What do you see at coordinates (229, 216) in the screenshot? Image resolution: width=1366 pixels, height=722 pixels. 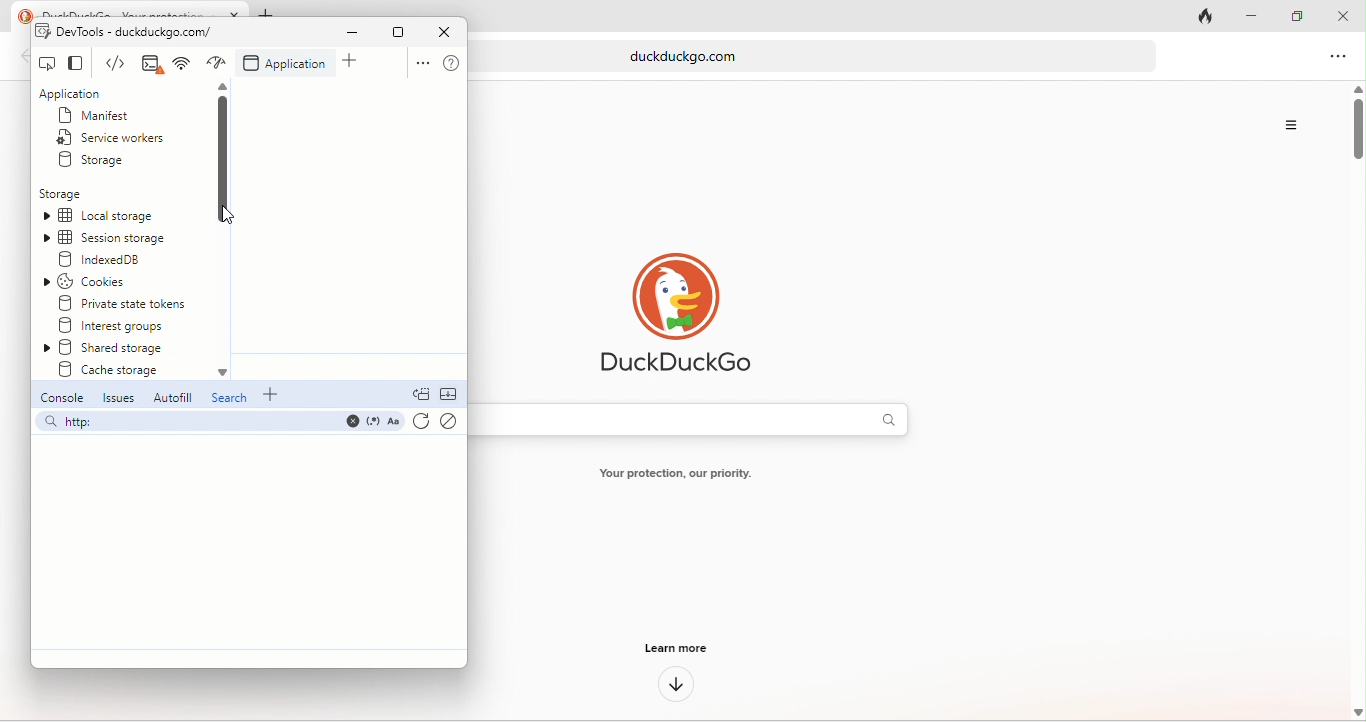 I see `cursor movement` at bounding box center [229, 216].